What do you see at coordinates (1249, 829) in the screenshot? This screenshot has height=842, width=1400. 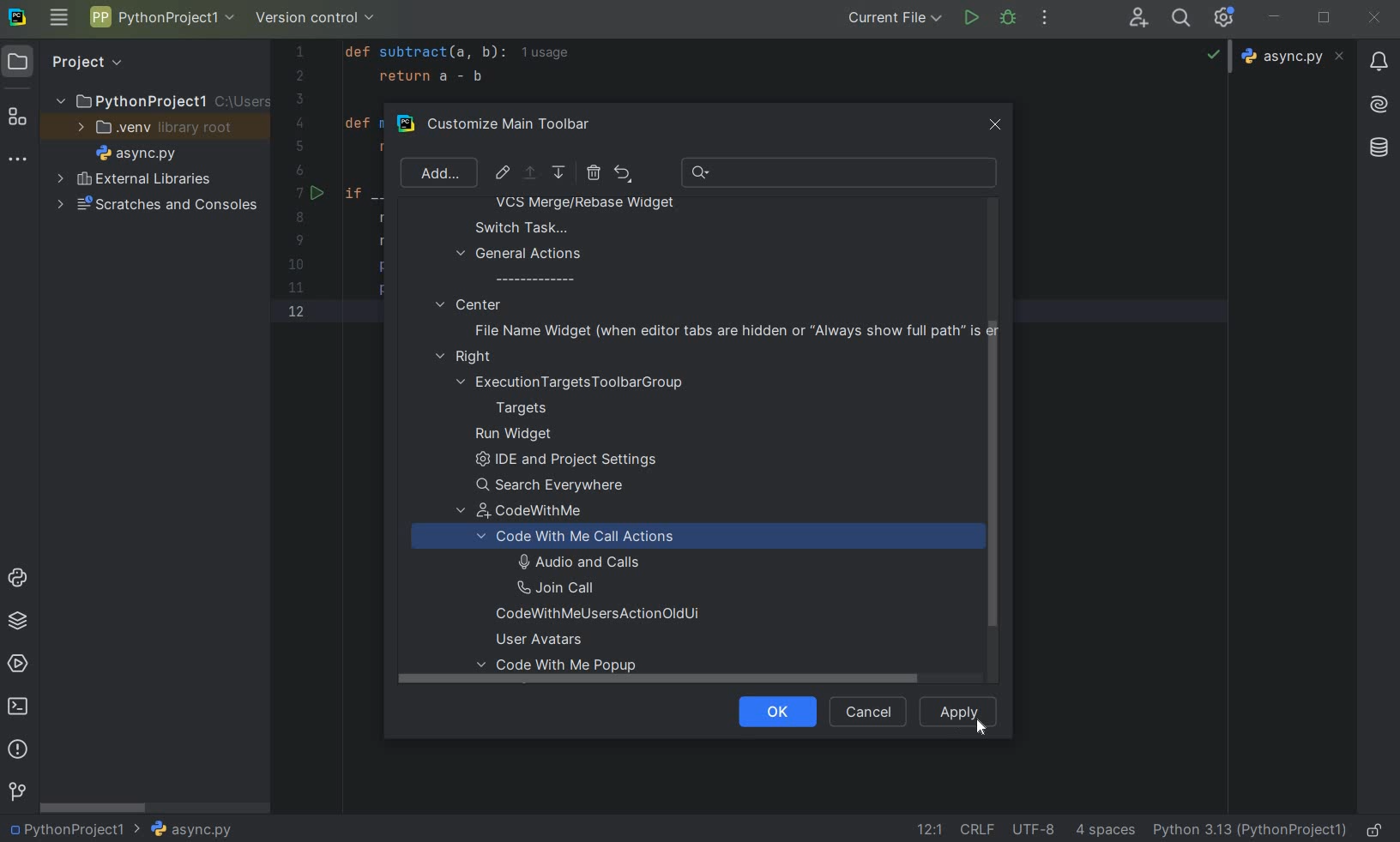 I see `CURRENT INTERPRETER` at bounding box center [1249, 829].